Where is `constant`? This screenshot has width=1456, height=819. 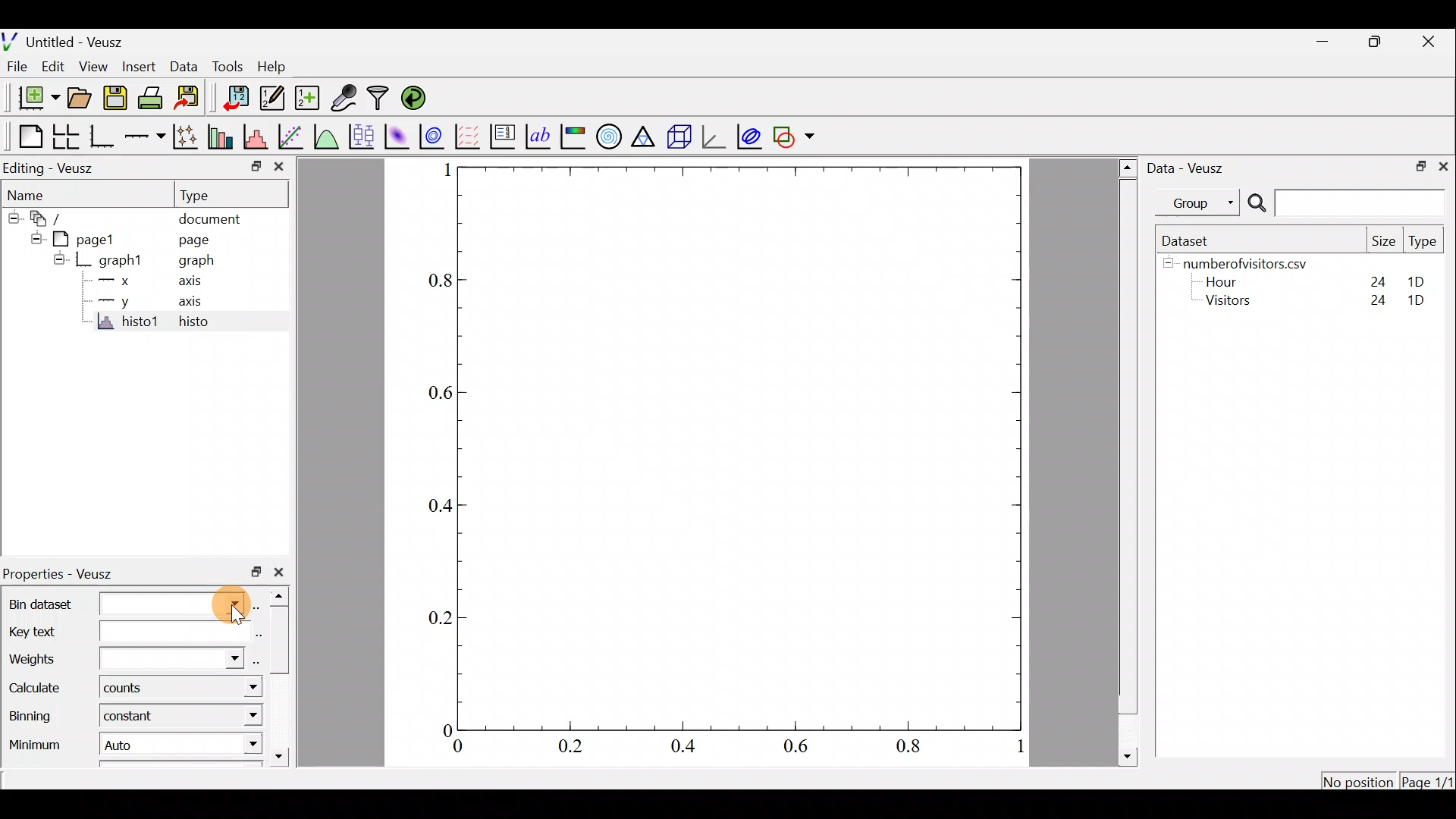 constant is located at coordinates (135, 715).